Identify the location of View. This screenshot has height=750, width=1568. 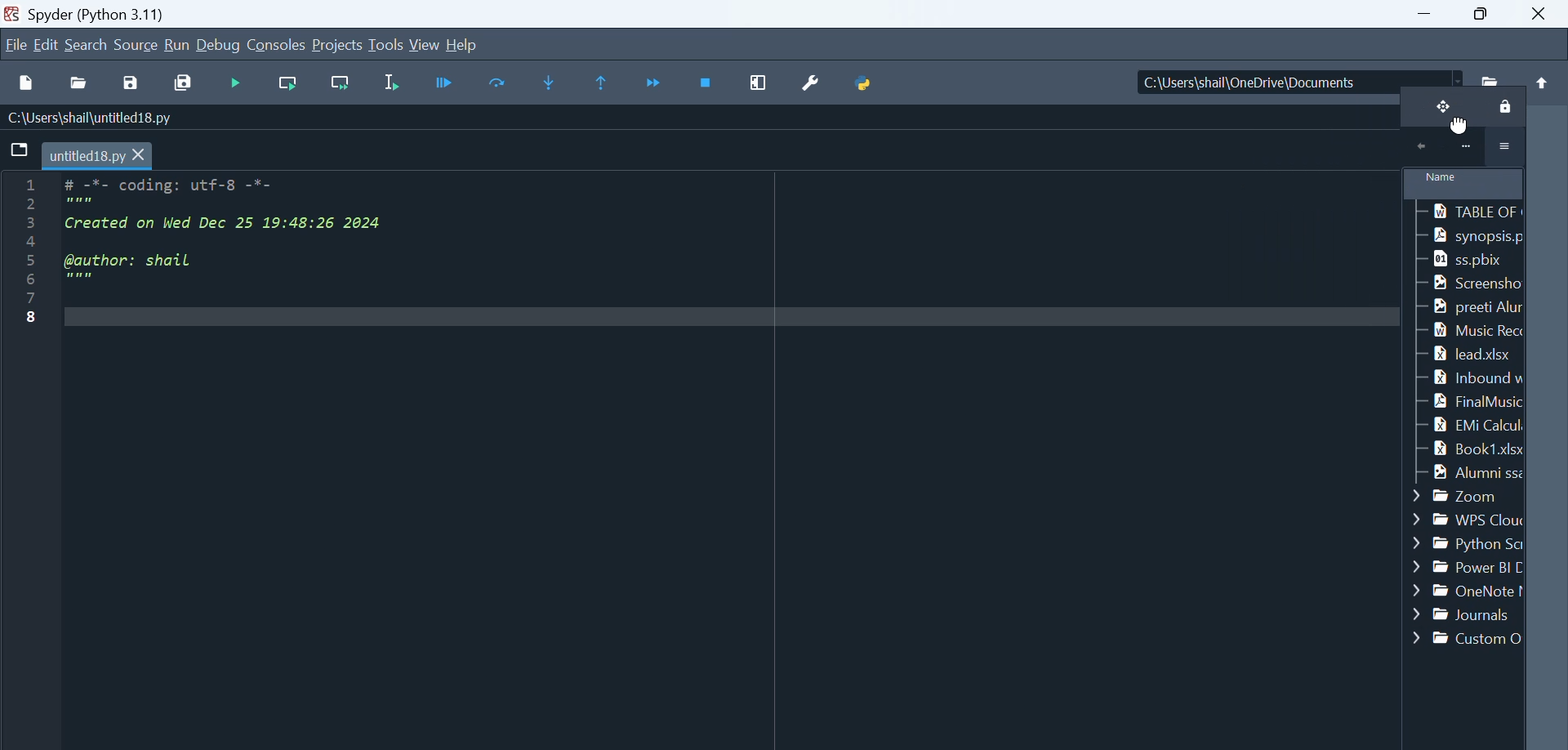
(425, 44).